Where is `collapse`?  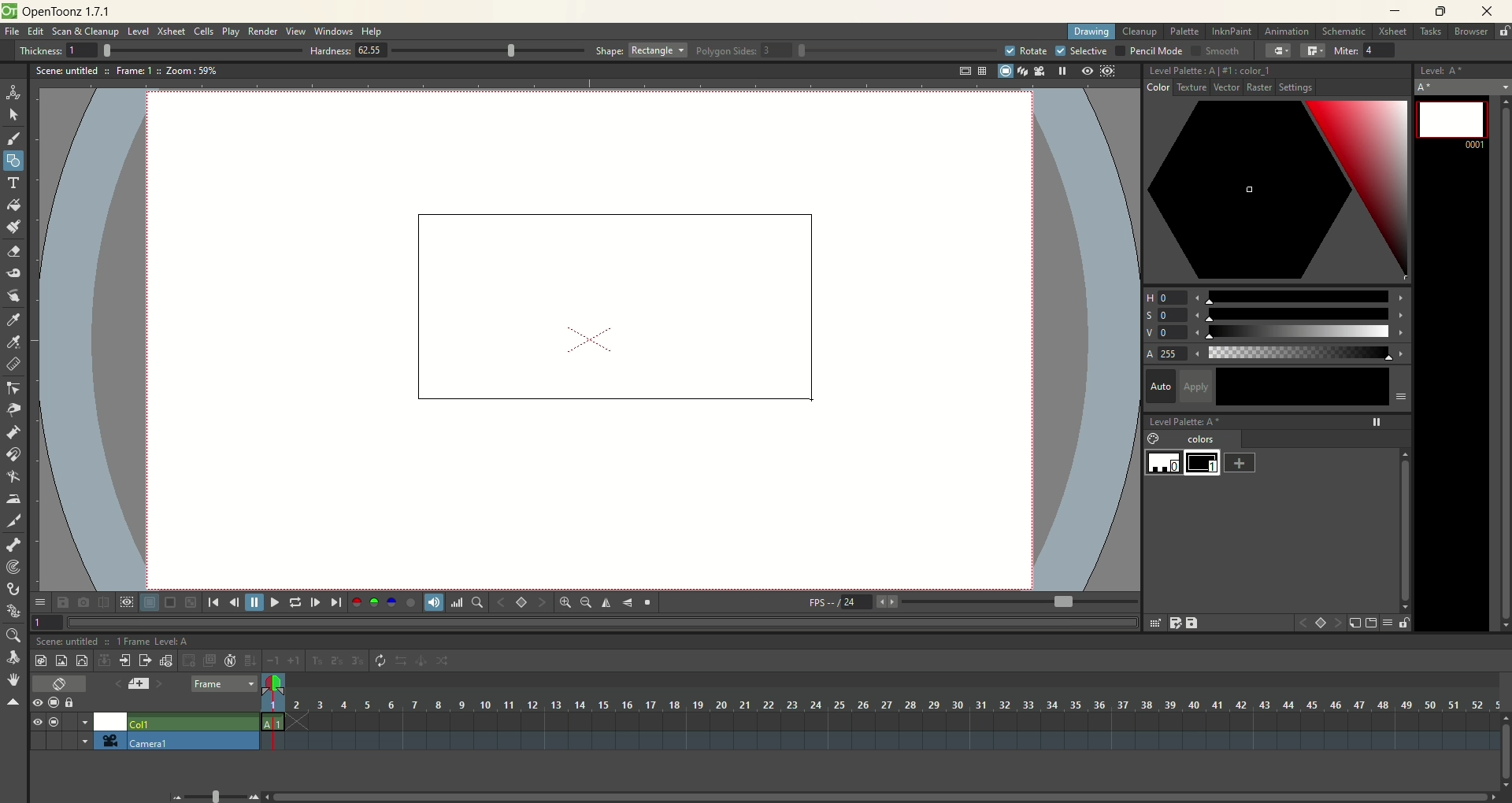
collapse is located at coordinates (104, 660).